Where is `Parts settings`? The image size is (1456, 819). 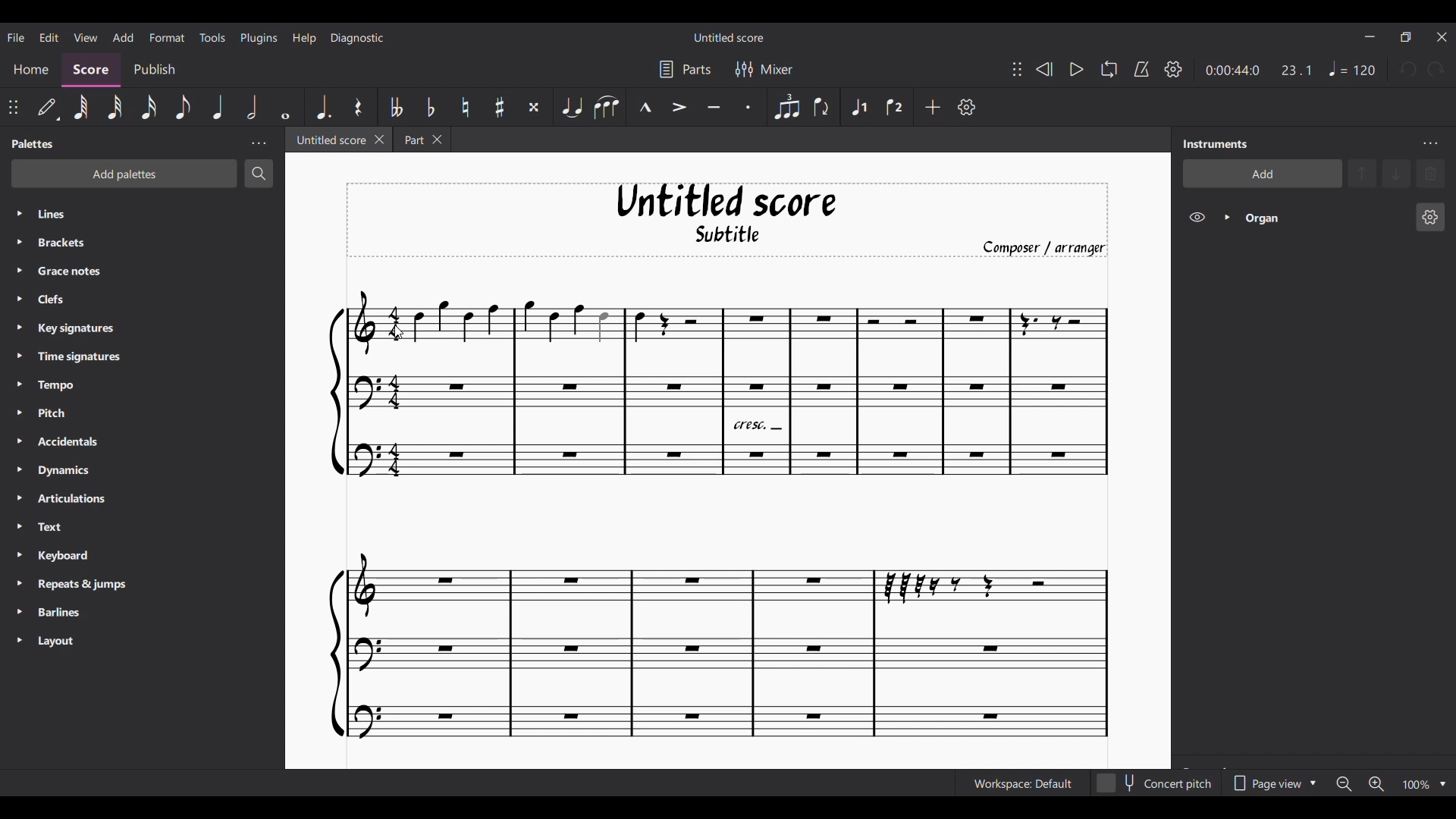 Parts settings is located at coordinates (686, 69).